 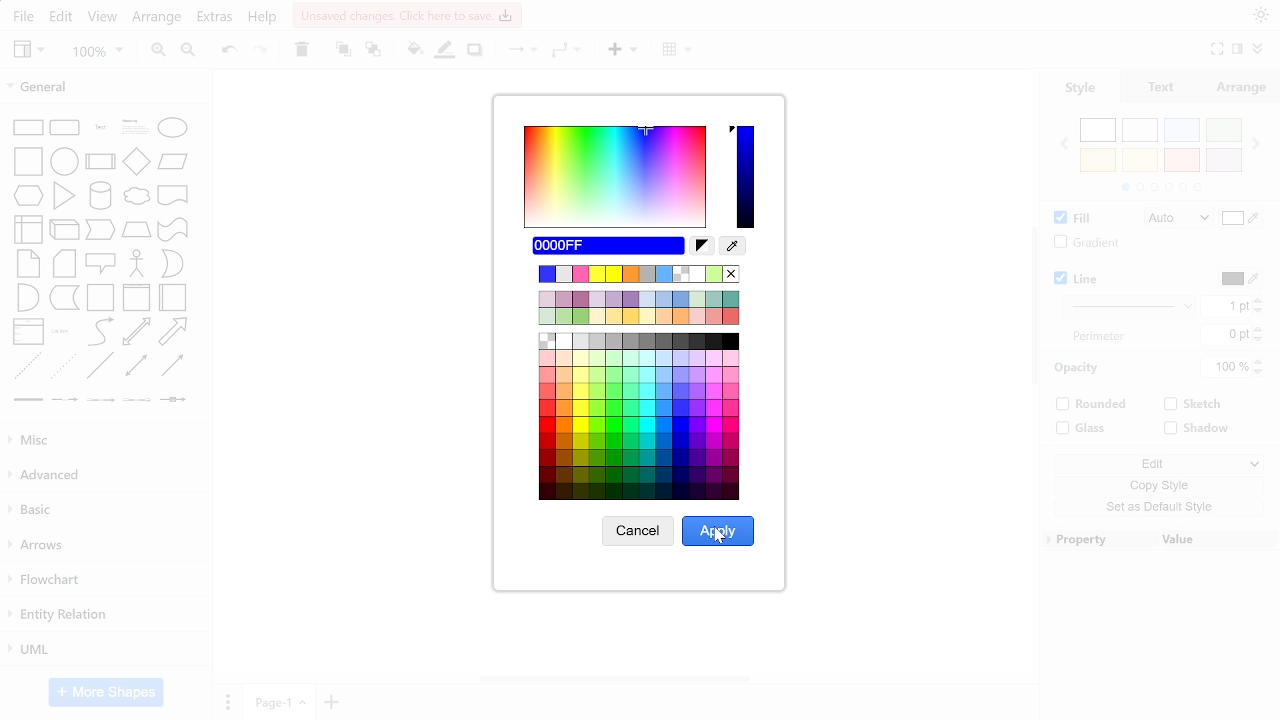 I want to click on text, so click(x=1099, y=336).